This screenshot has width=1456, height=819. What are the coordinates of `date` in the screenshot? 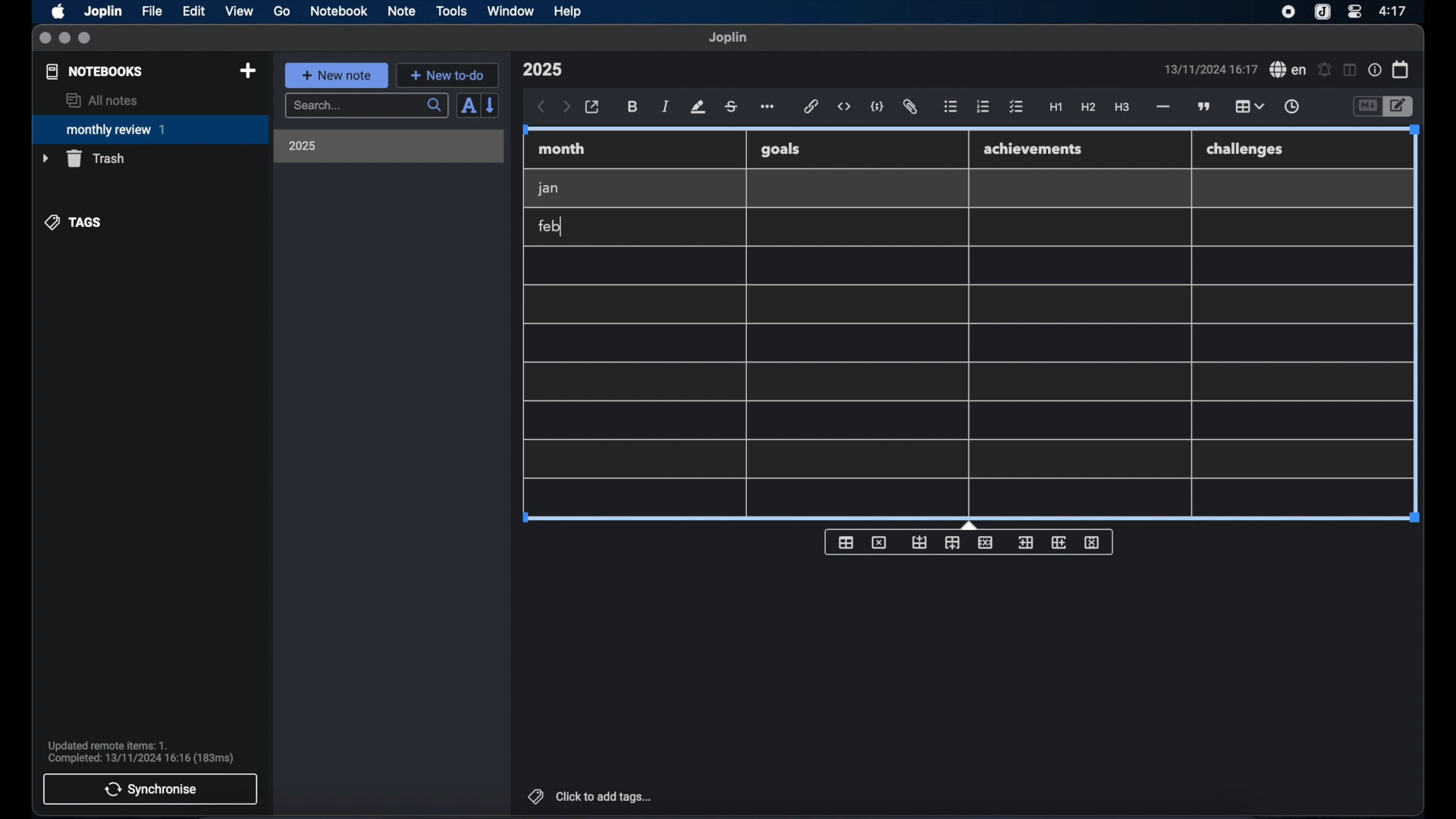 It's located at (1210, 69).